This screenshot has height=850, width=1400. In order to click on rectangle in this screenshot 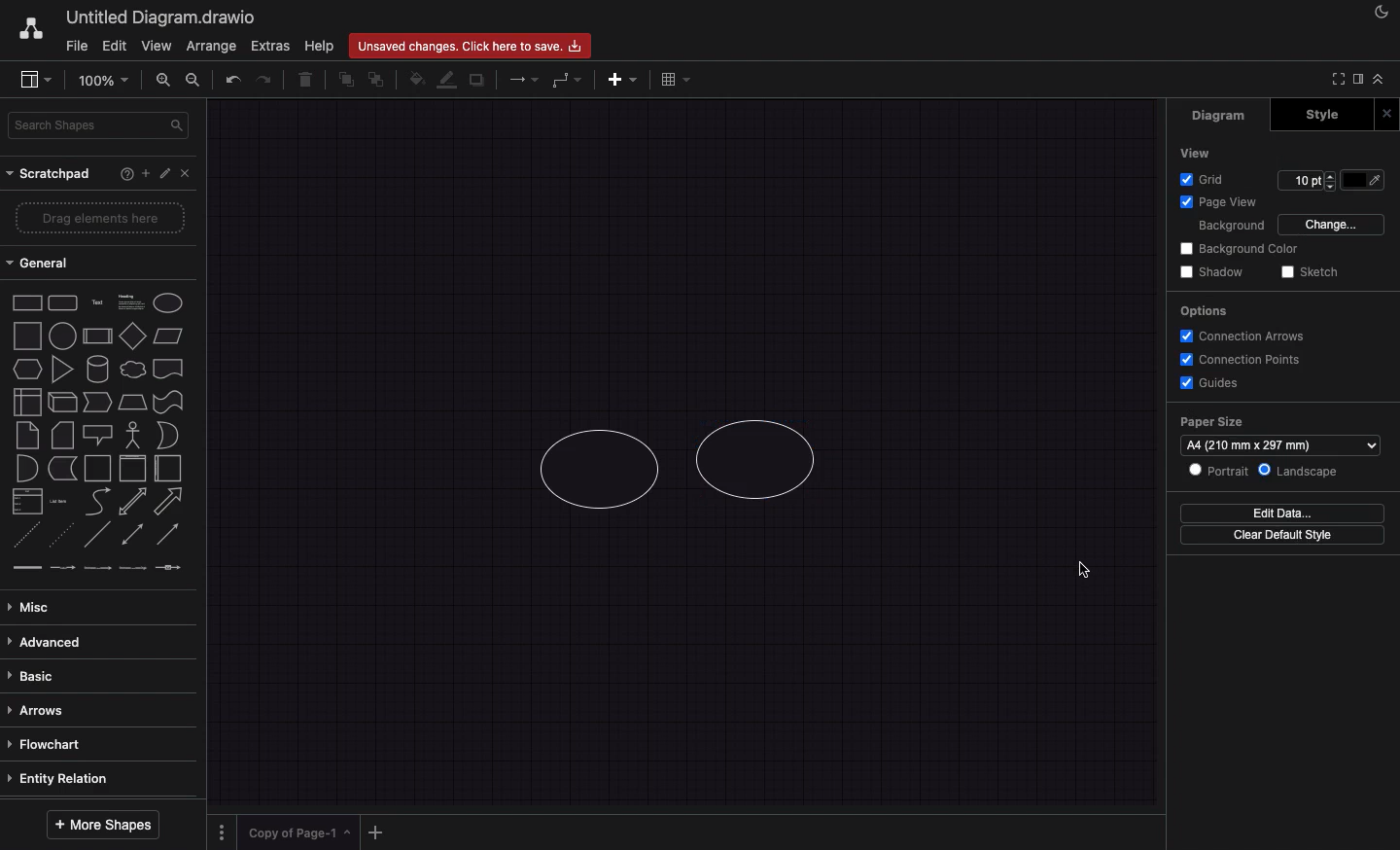, I will do `click(26, 301)`.